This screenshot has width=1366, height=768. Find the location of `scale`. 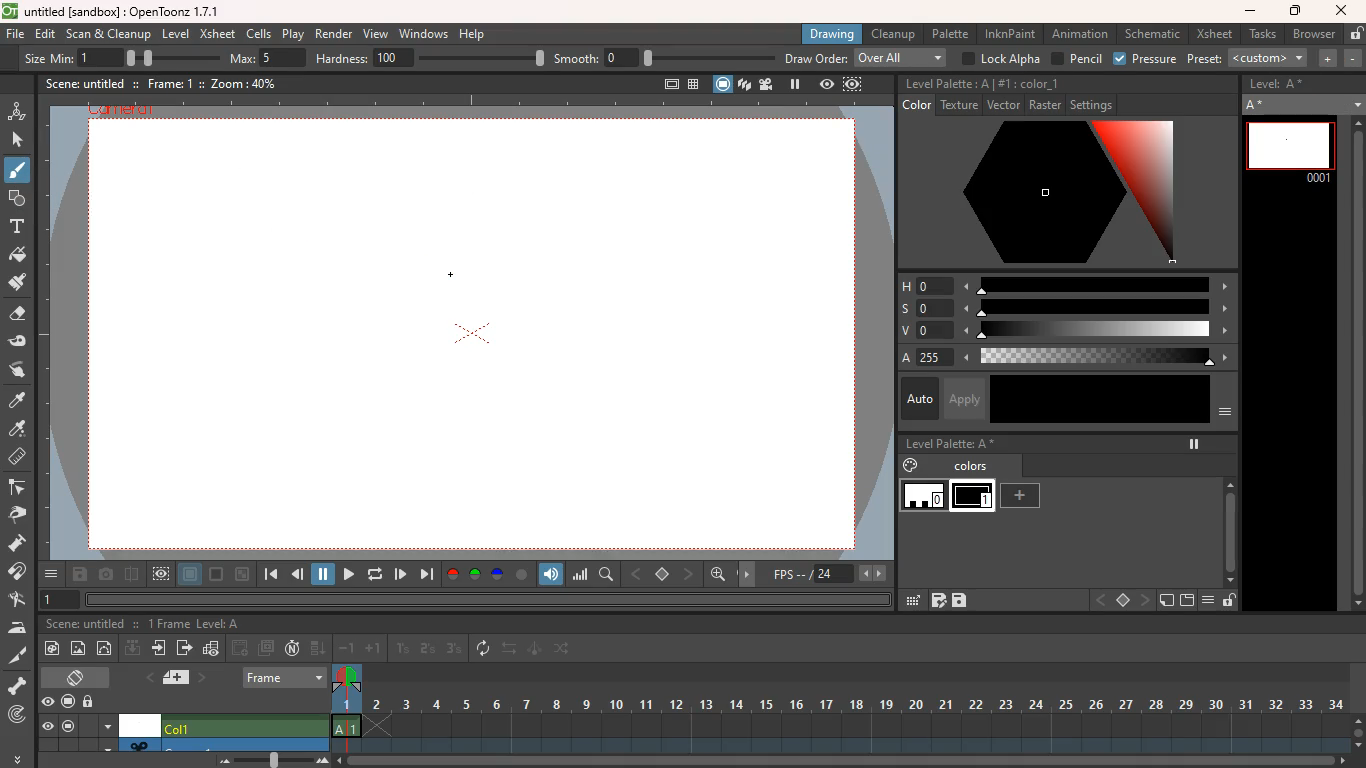

scale is located at coordinates (581, 575).